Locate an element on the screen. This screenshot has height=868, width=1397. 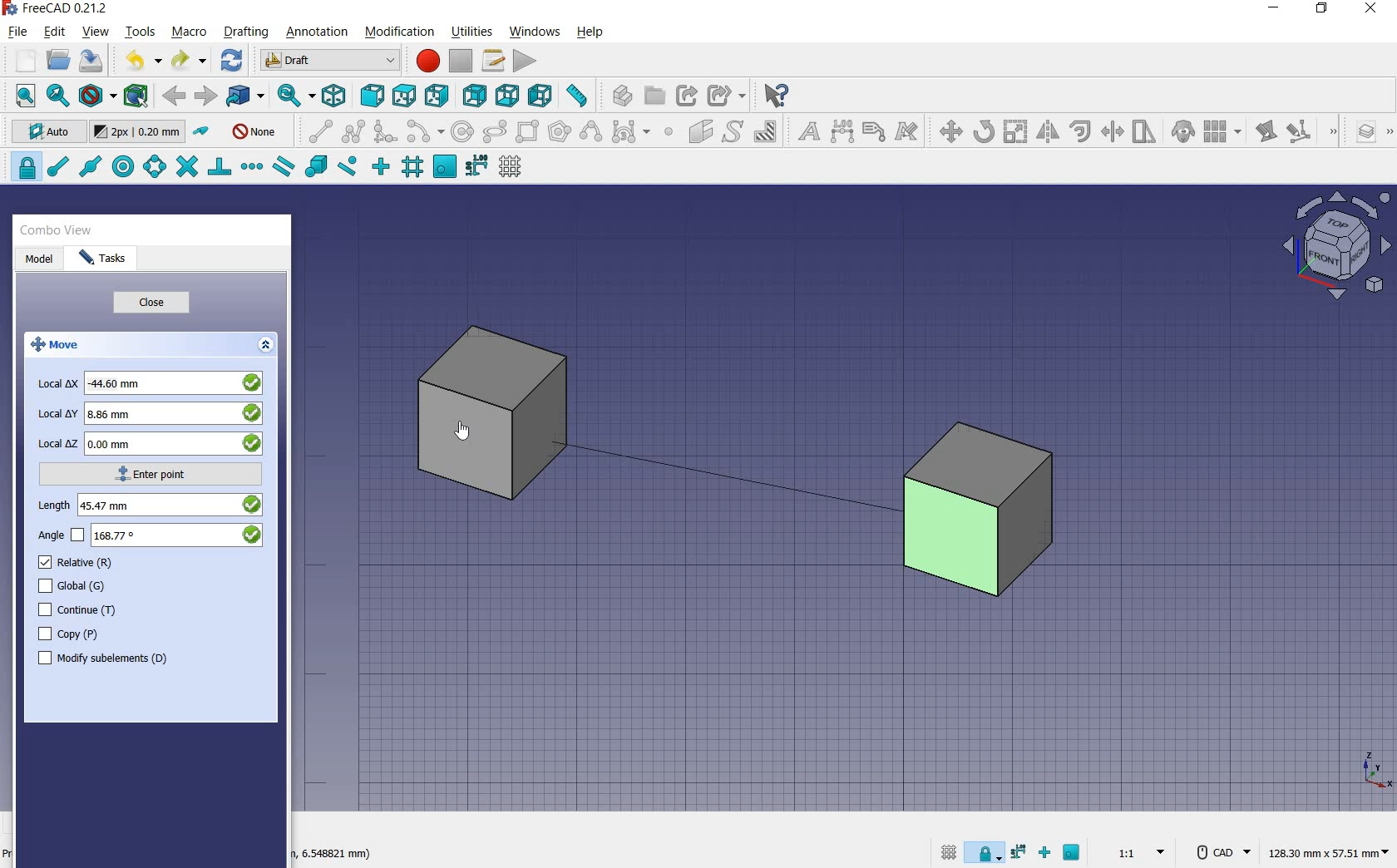
fit all is located at coordinates (20, 96).